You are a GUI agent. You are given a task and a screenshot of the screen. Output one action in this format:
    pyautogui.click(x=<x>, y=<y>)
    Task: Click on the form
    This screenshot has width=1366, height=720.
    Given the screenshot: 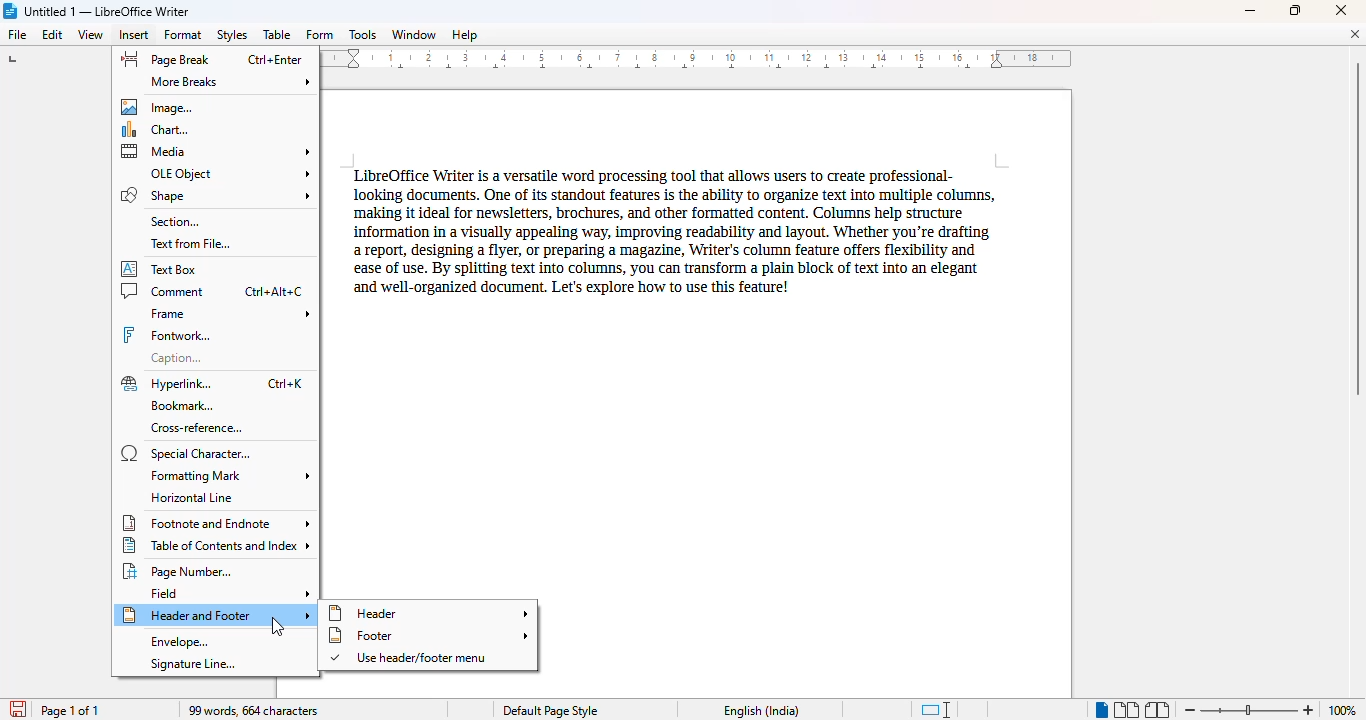 What is the action you would take?
    pyautogui.click(x=319, y=35)
    